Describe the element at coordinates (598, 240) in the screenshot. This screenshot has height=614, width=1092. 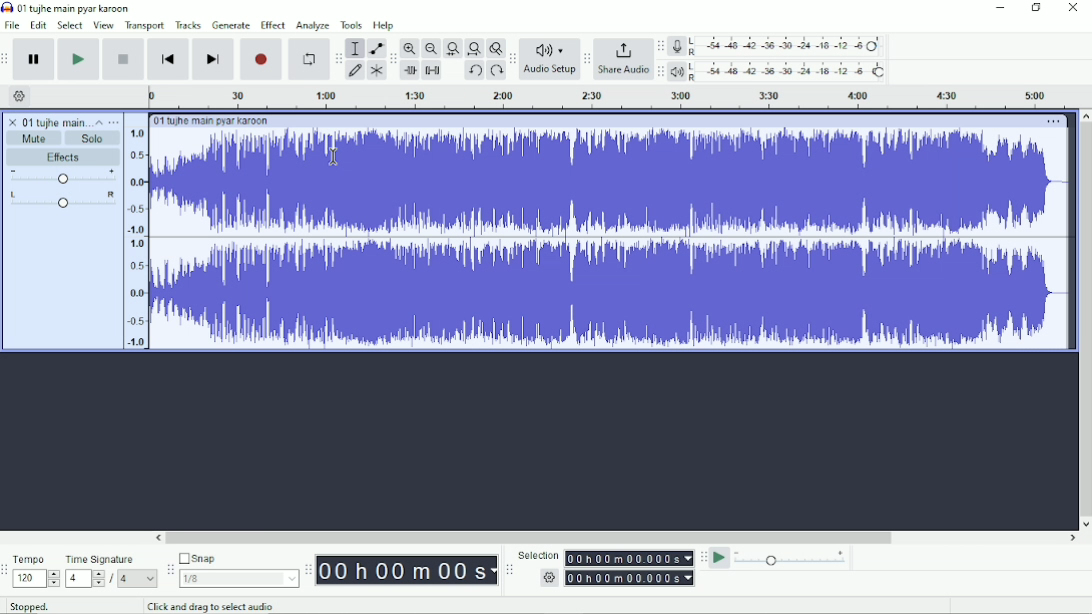
I see `Audio` at that location.